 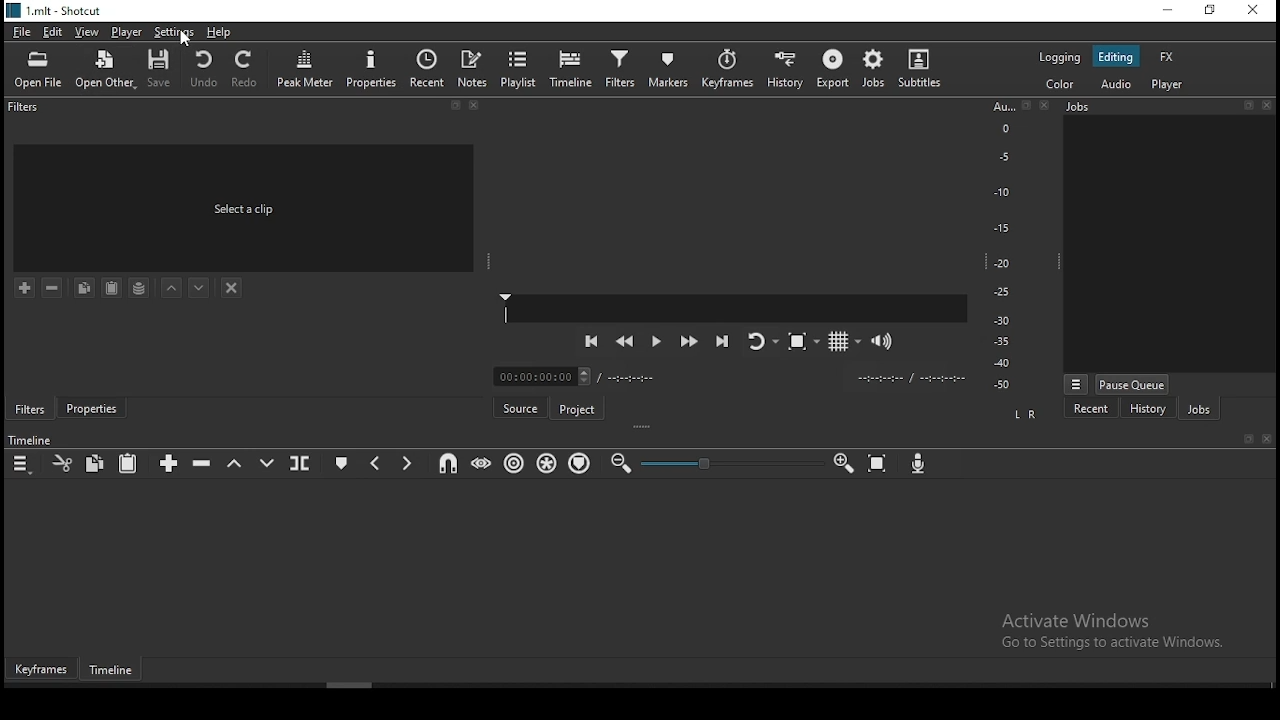 What do you see at coordinates (1134, 384) in the screenshot?
I see `pause queue` at bounding box center [1134, 384].